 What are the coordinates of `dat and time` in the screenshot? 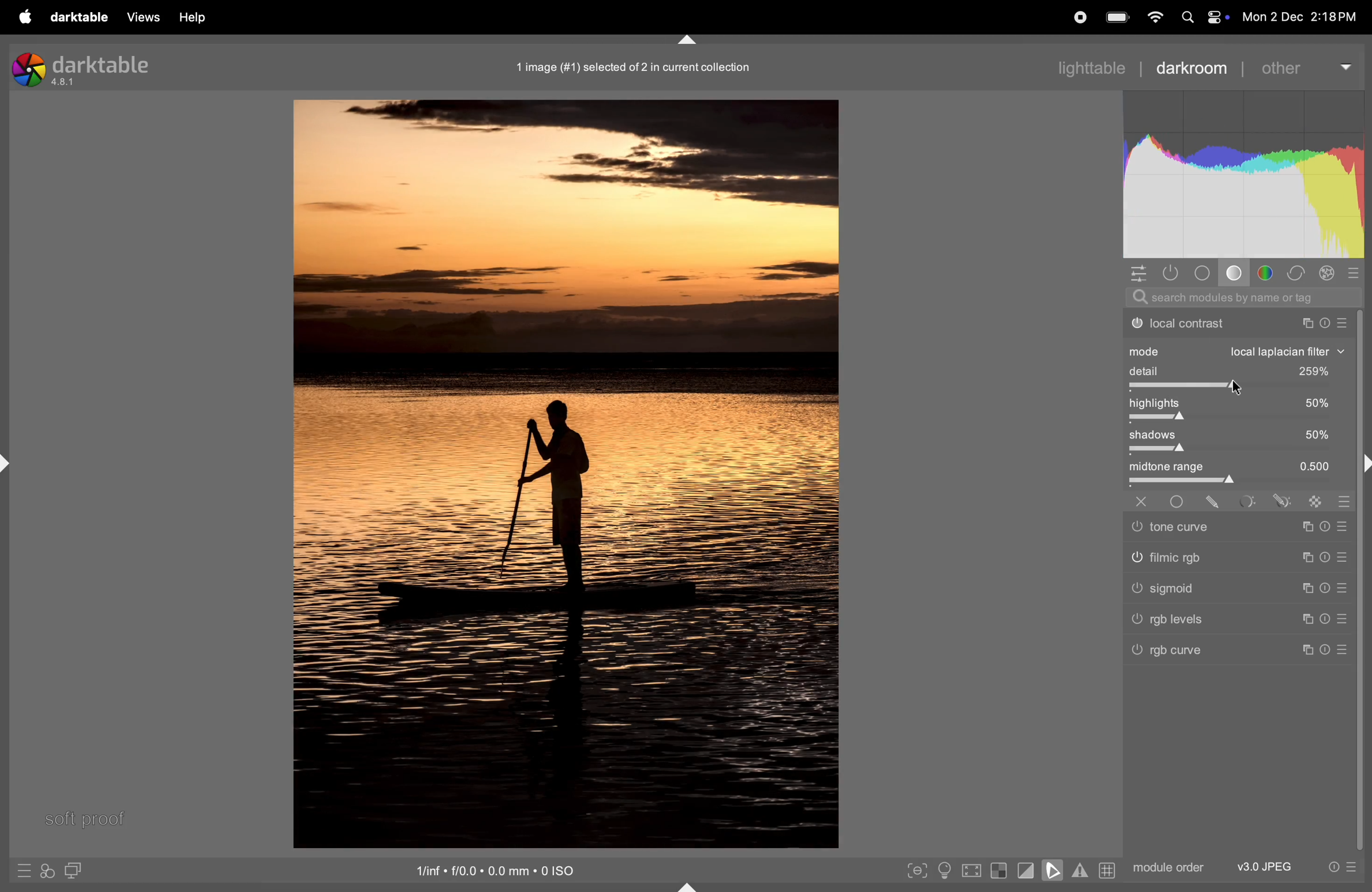 It's located at (1301, 17).